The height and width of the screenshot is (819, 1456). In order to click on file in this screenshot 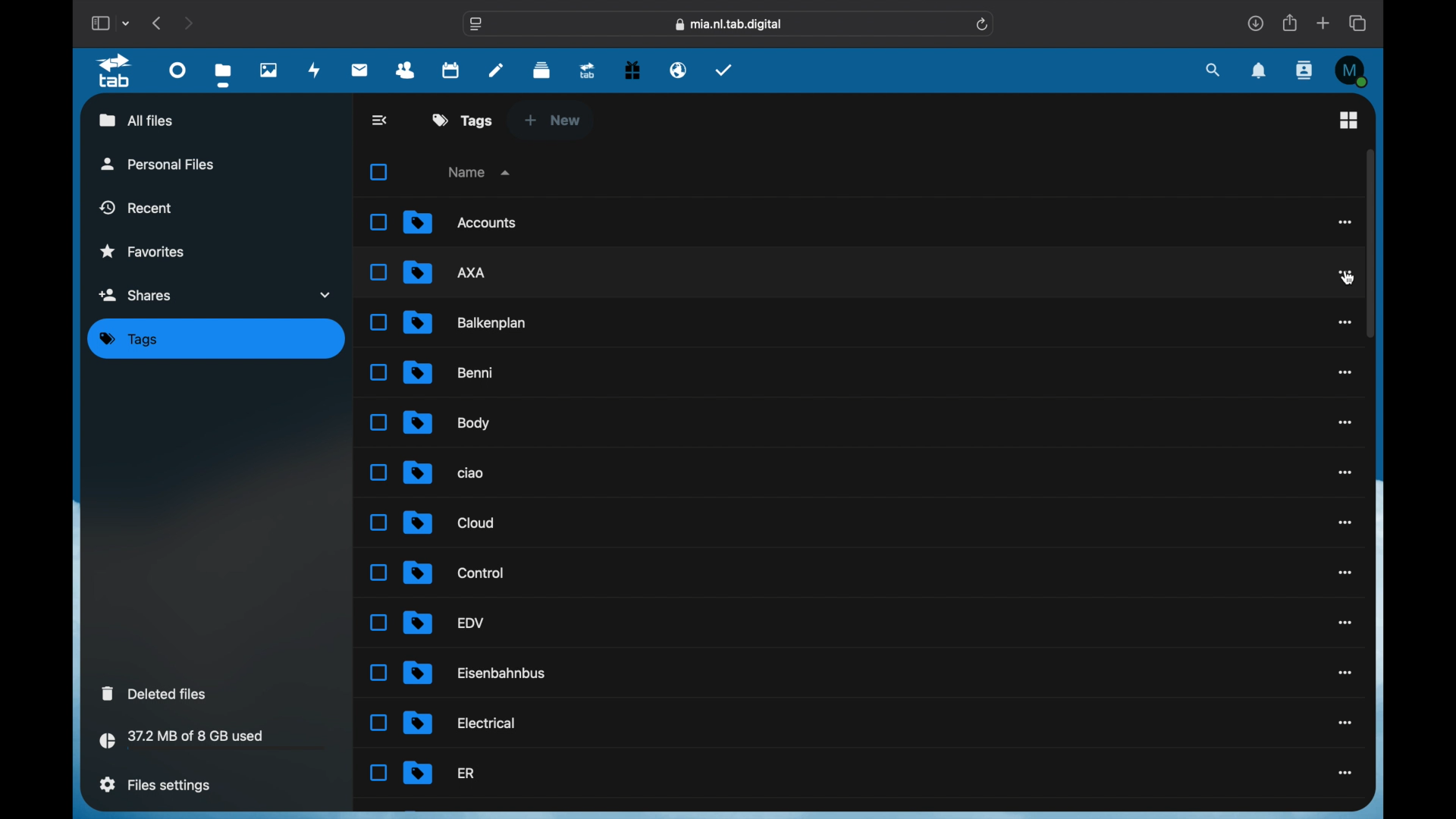, I will do `click(453, 573)`.